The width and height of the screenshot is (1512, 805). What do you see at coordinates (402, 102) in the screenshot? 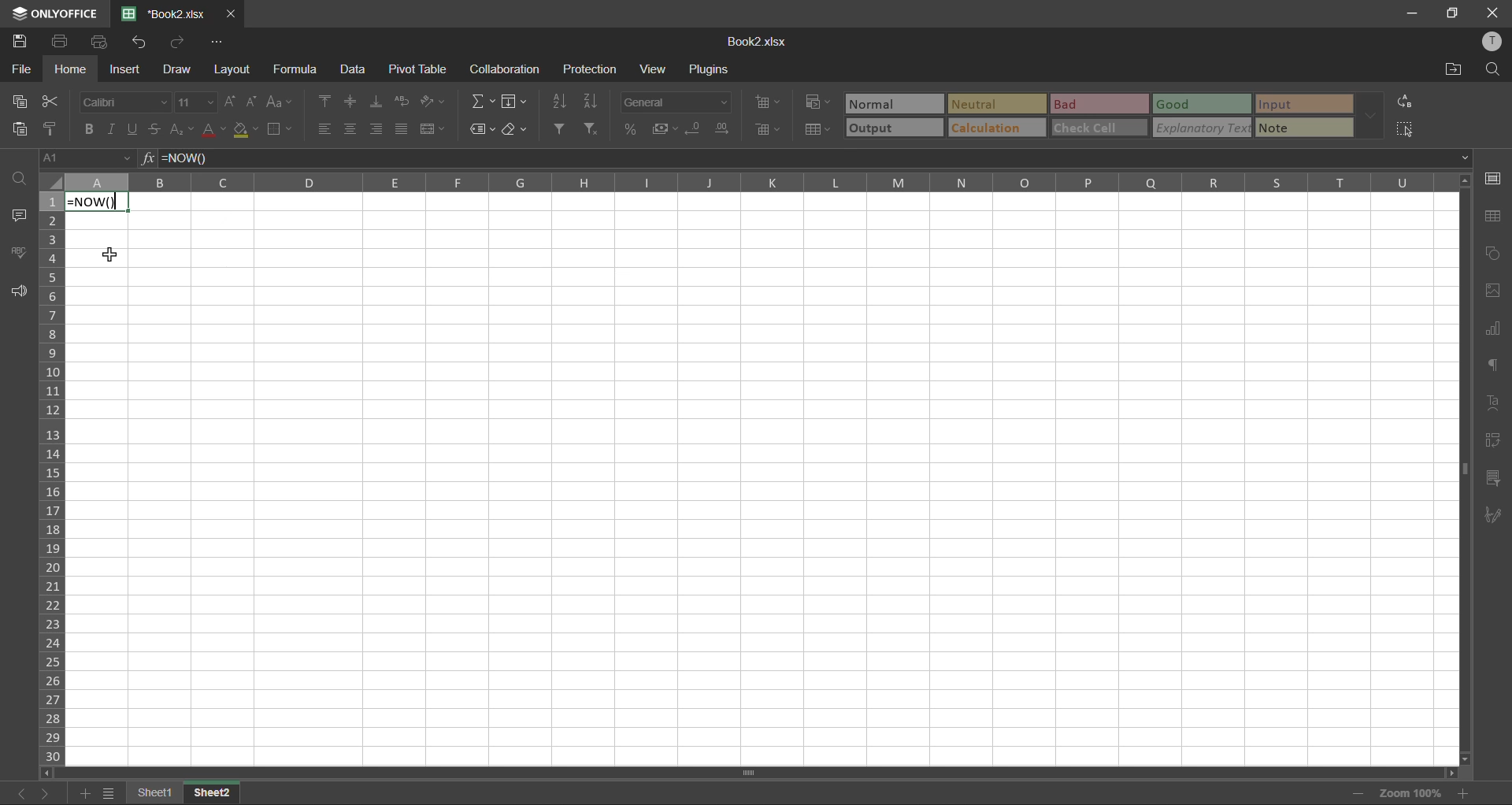
I see `wrap text` at bounding box center [402, 102].